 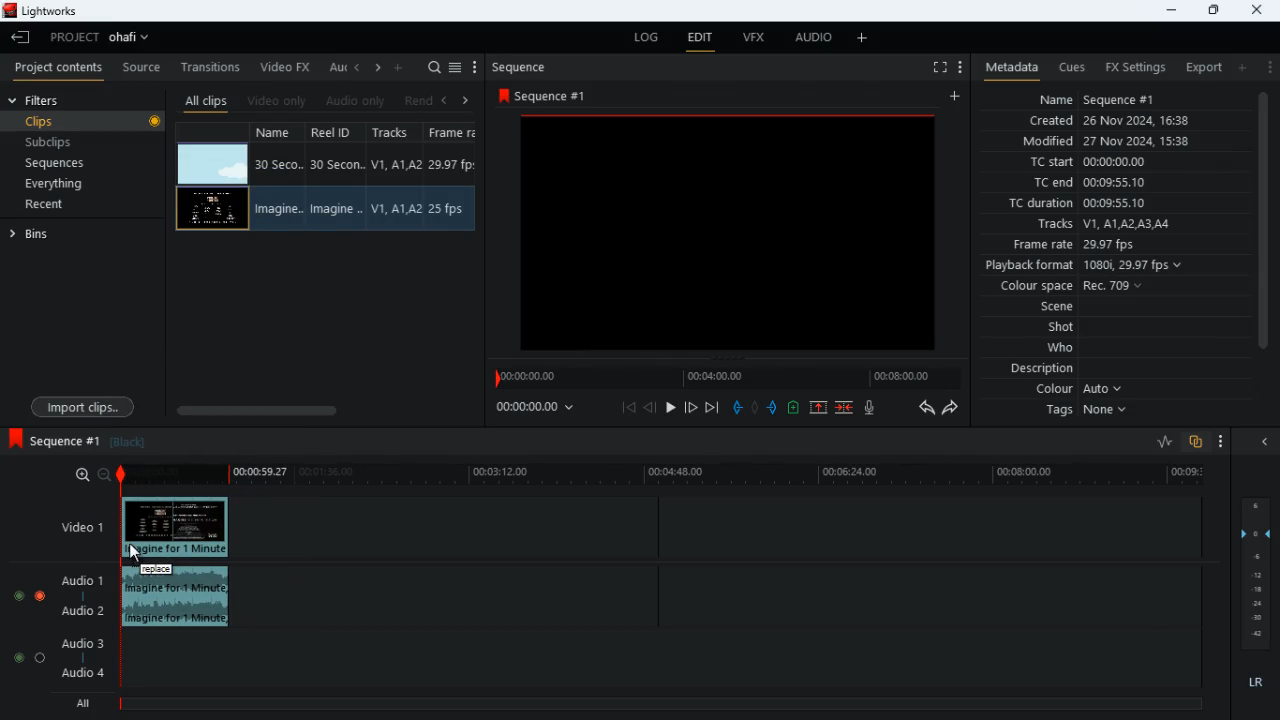 I want to click on modified, so click(x=1113, y=141).